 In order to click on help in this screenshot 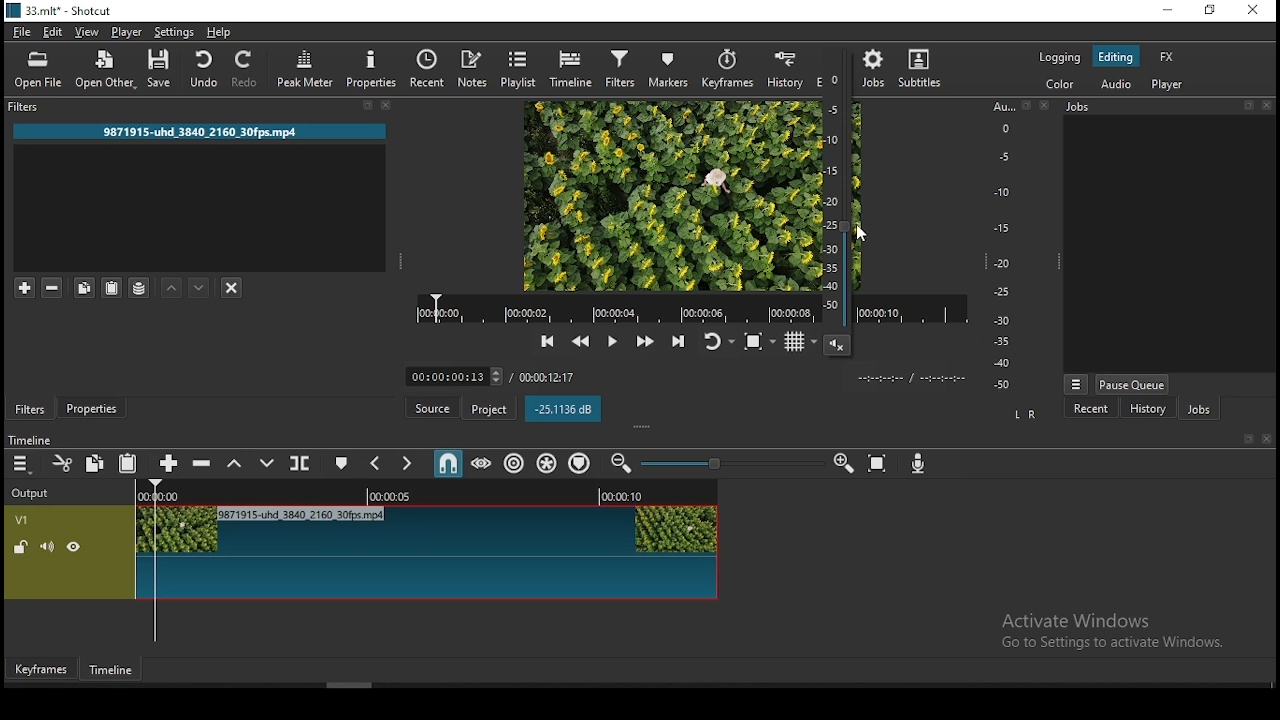, I will do `click(223, 32)`.